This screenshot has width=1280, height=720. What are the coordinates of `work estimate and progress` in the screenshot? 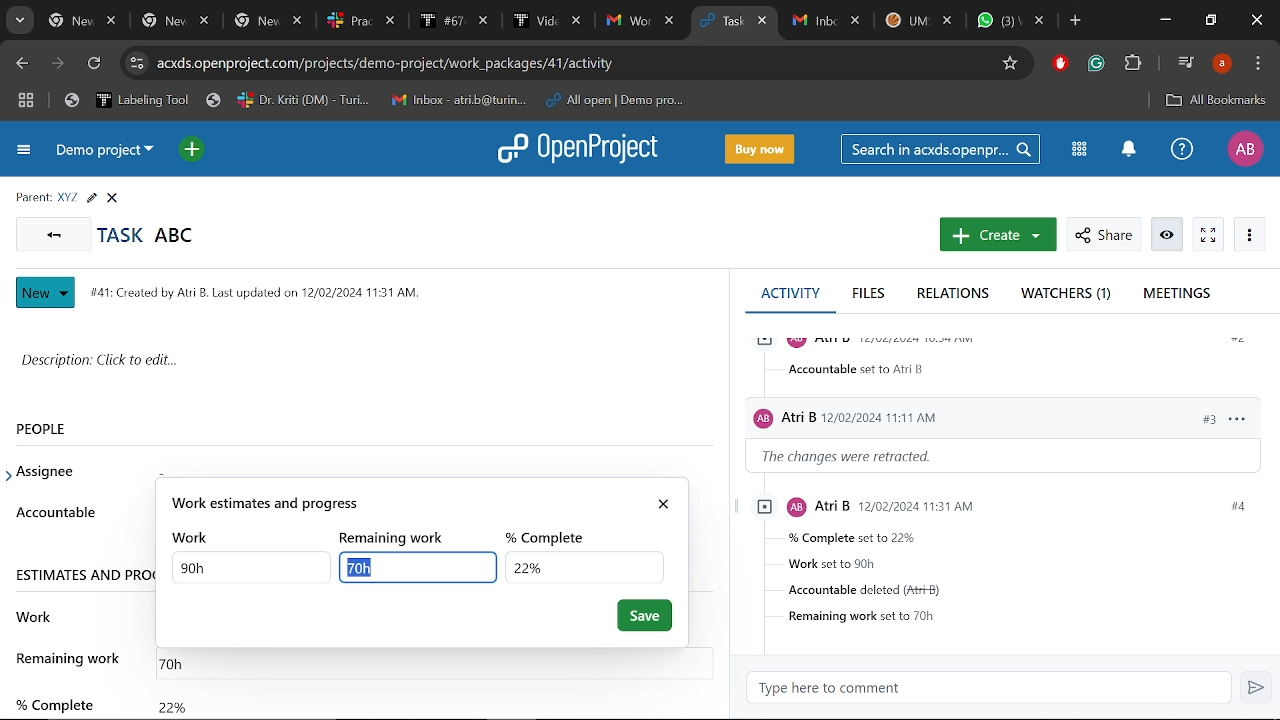 It's located at (403, 503).